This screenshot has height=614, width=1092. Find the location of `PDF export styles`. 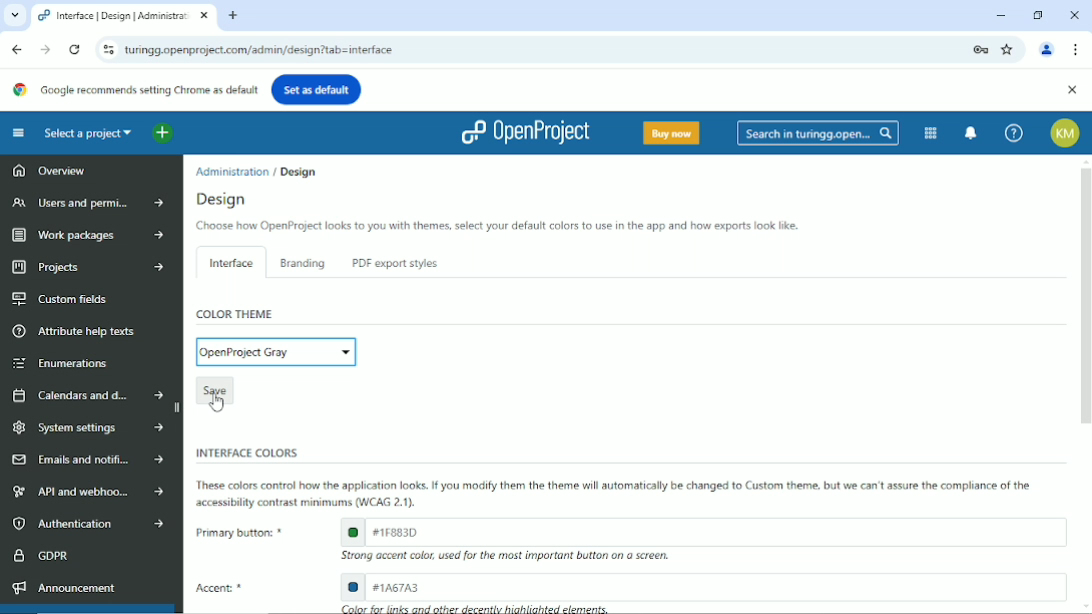

PDF export styles is located at coordinates (392, 264).